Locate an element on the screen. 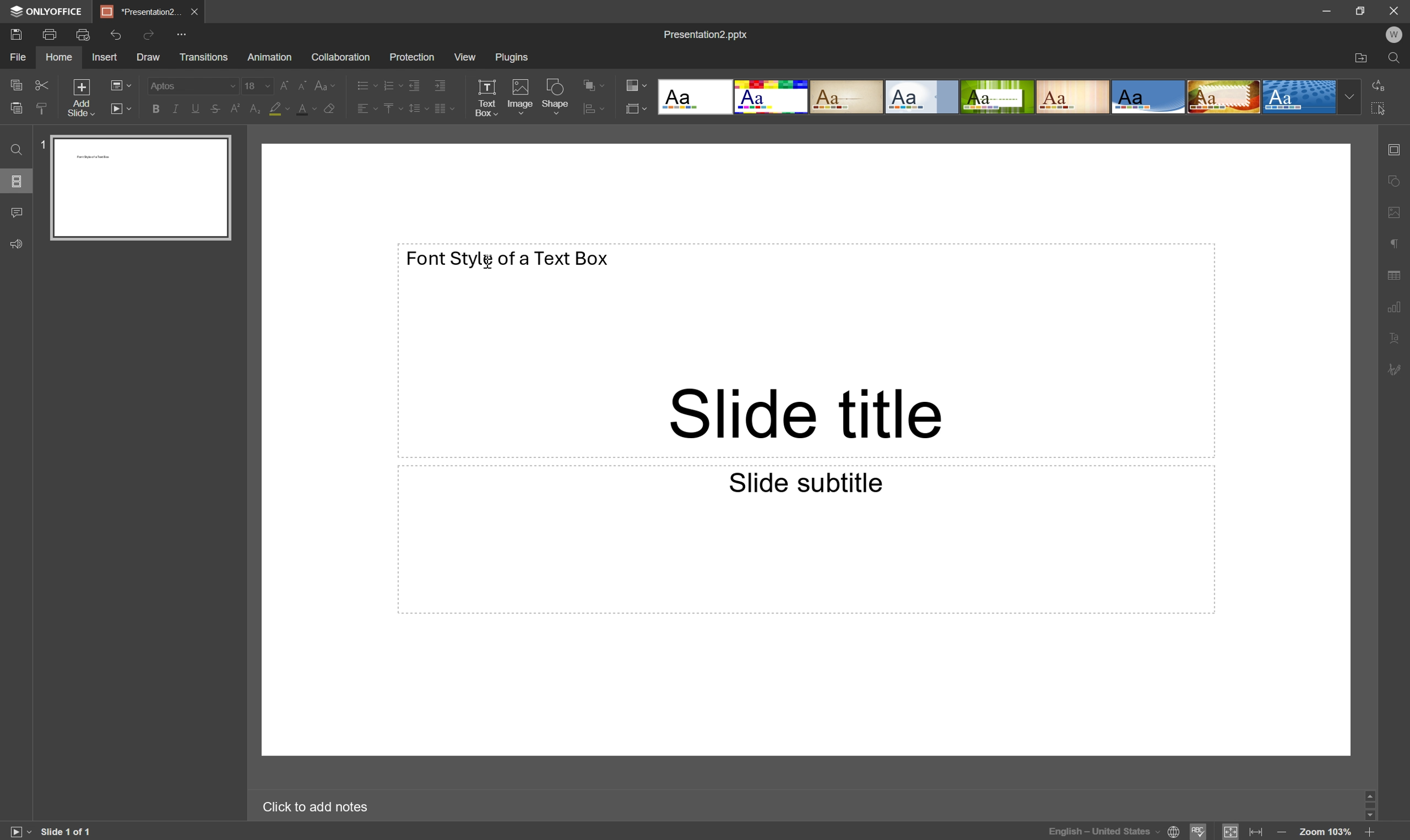 The height and width of the screenshot is (840, 1410). Zoom in is located at coordinates (1374, 833).